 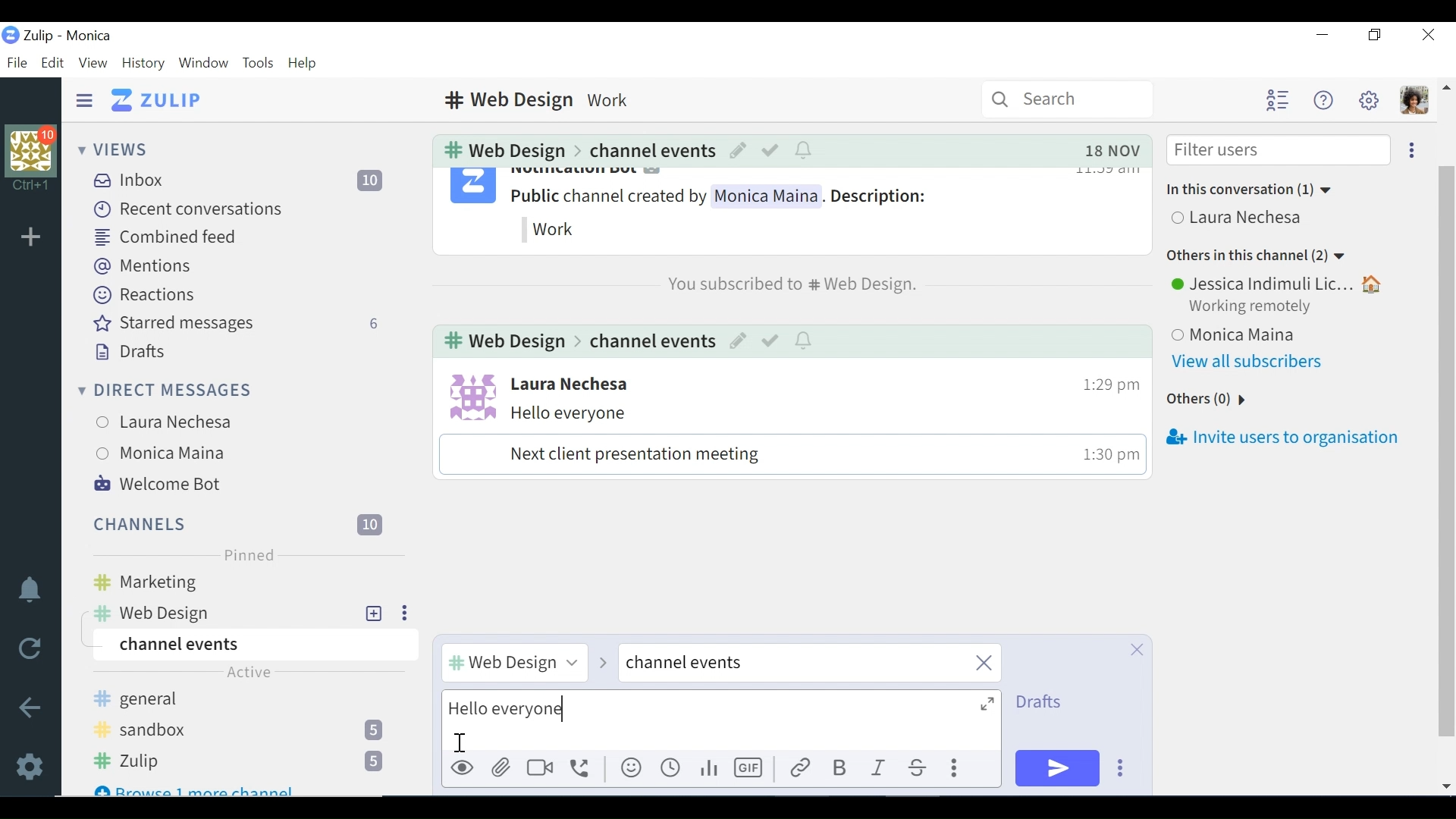 What do you see at coordinates (252, 645) in the screenshot?
I see `Channel events` at bounding box center [252, 645].